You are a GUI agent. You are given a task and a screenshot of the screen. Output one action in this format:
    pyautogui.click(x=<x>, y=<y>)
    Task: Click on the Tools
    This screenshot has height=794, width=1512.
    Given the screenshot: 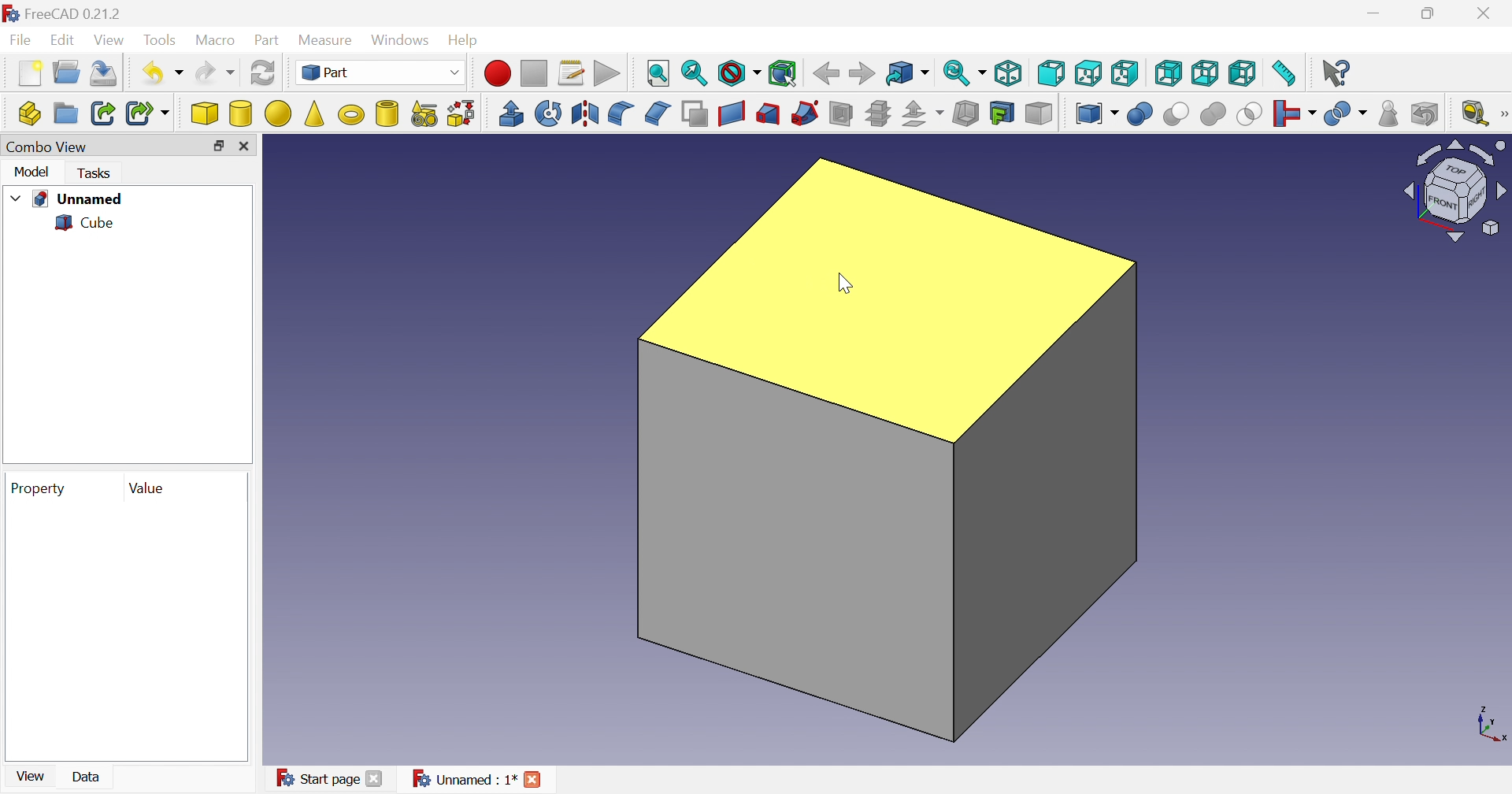 What is the action you would take?
    pyautogui.click(x=161, y=40)
    